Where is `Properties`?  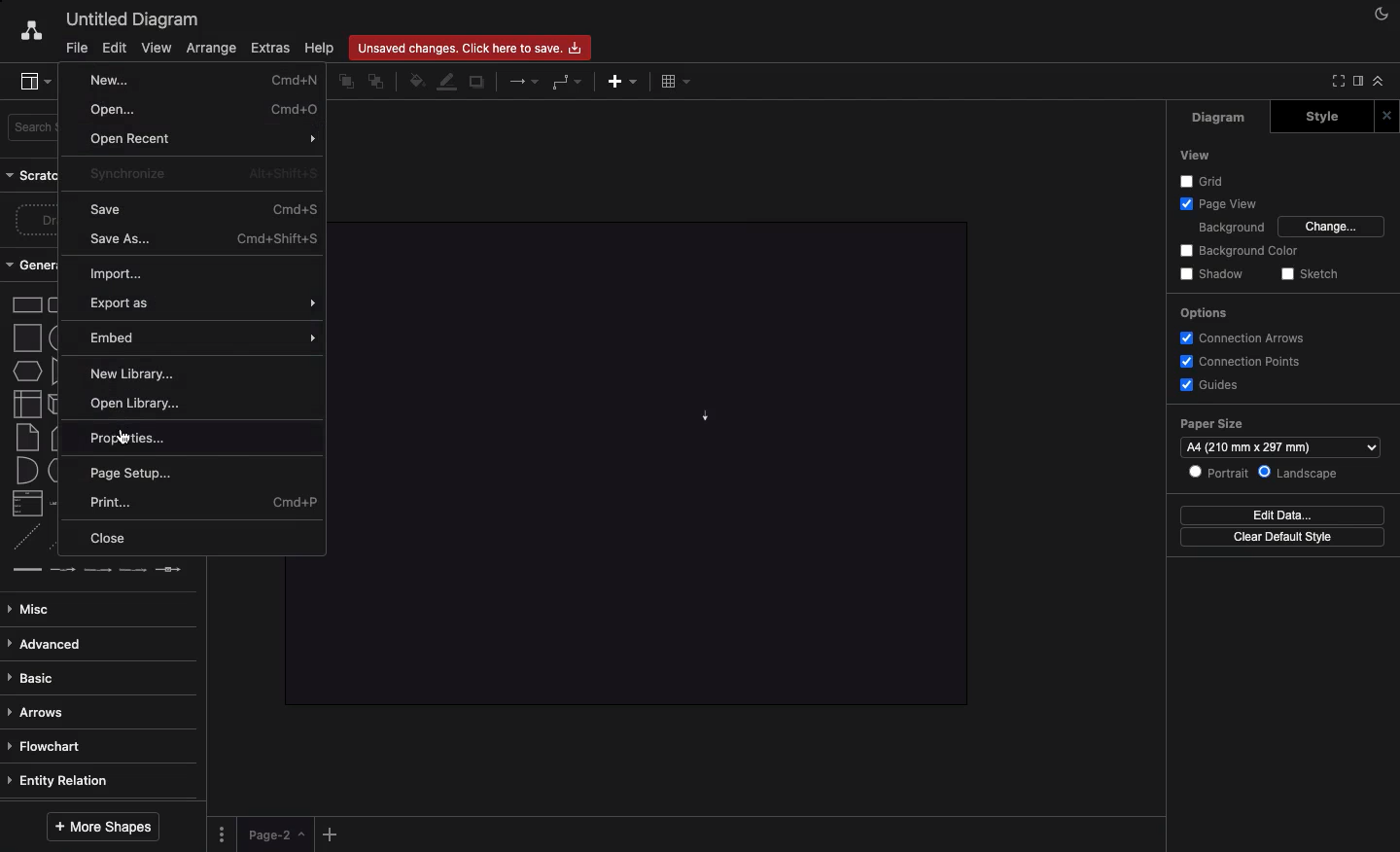 Properties is located at coordinates (204, 436).